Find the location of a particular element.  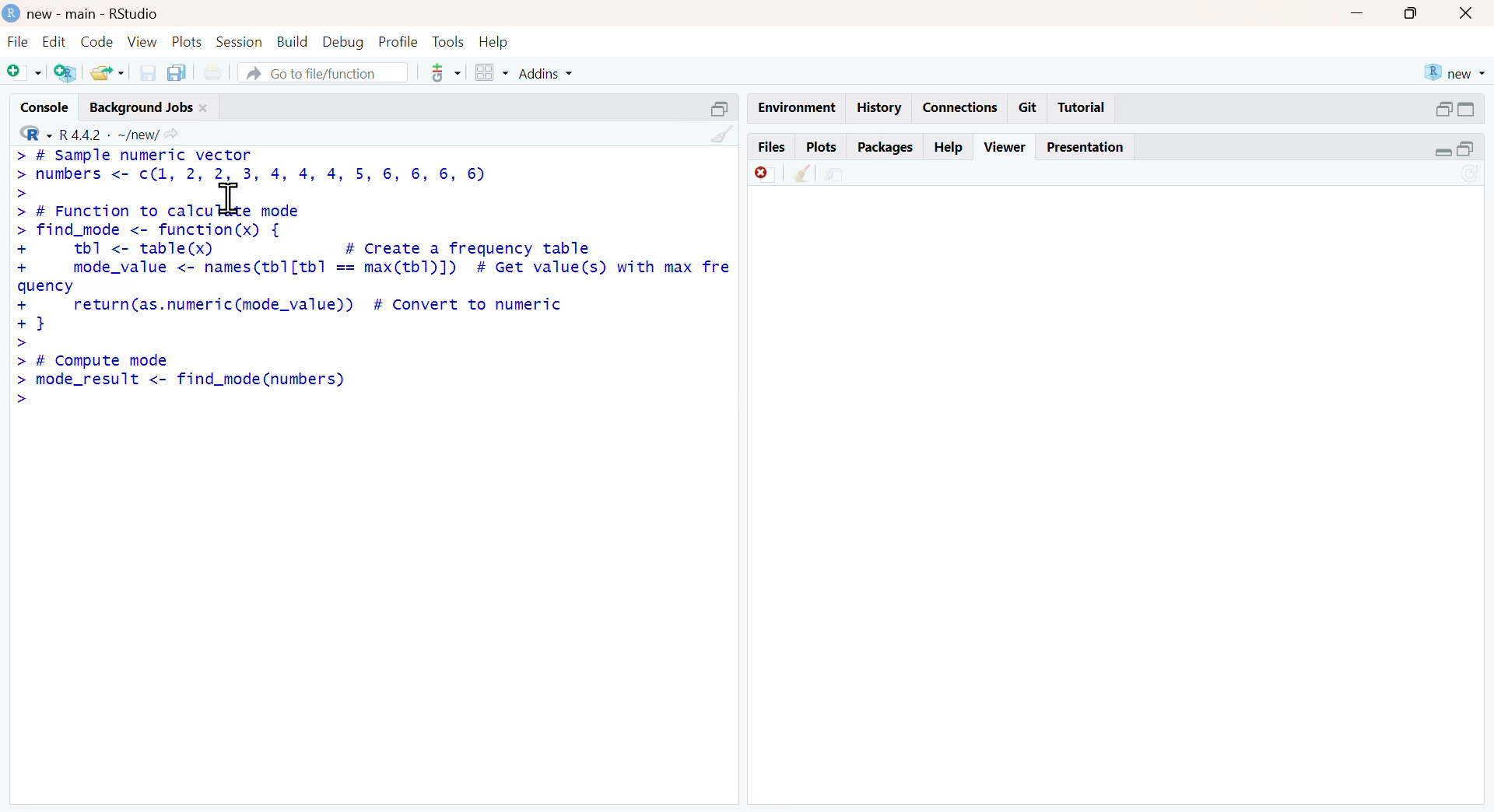

build is located at coordinates (294, 42).